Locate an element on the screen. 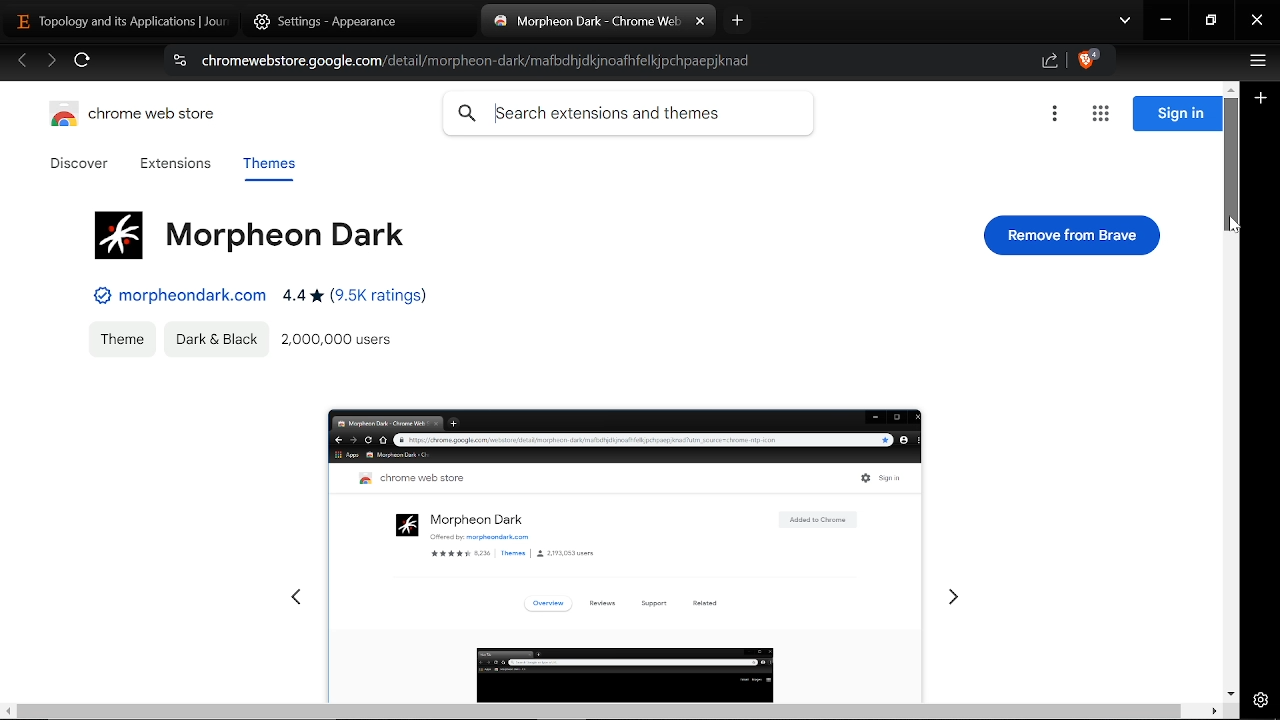  Settings tab is located at coordinates (346, 20).